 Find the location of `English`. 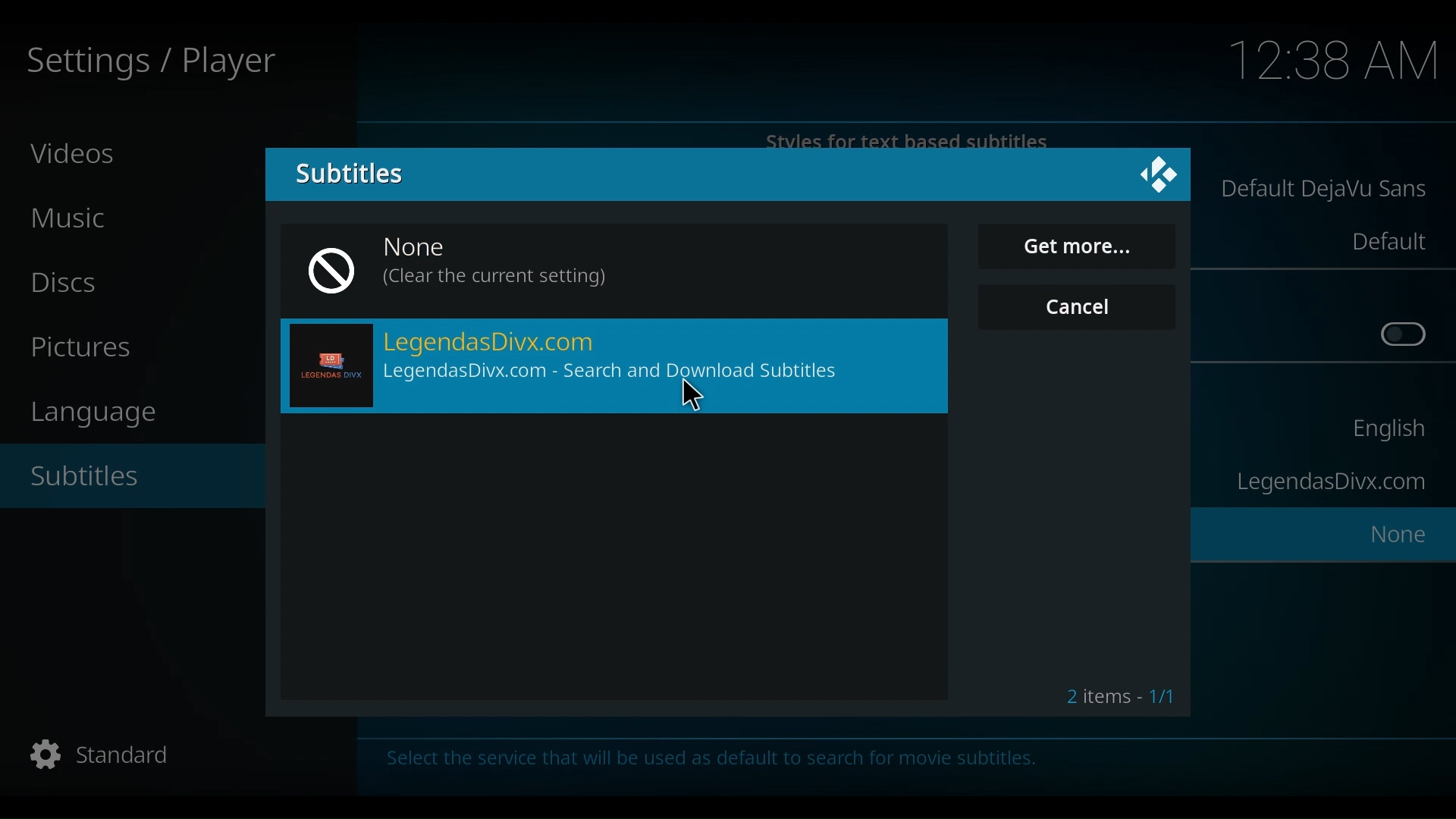

English is located at coordinates (1385, 432).